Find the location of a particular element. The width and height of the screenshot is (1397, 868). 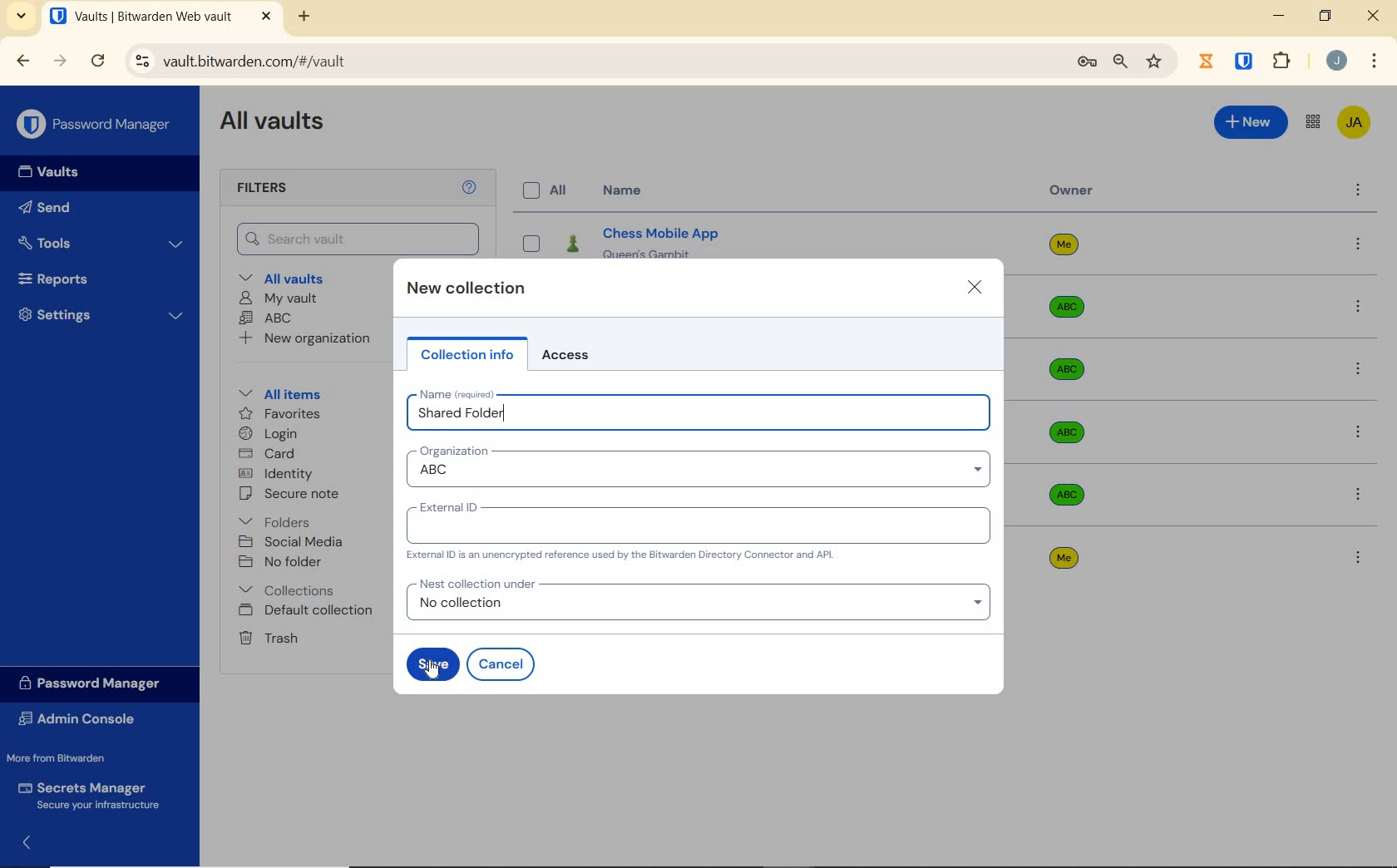

more options is located at coordinates (1360, 308).